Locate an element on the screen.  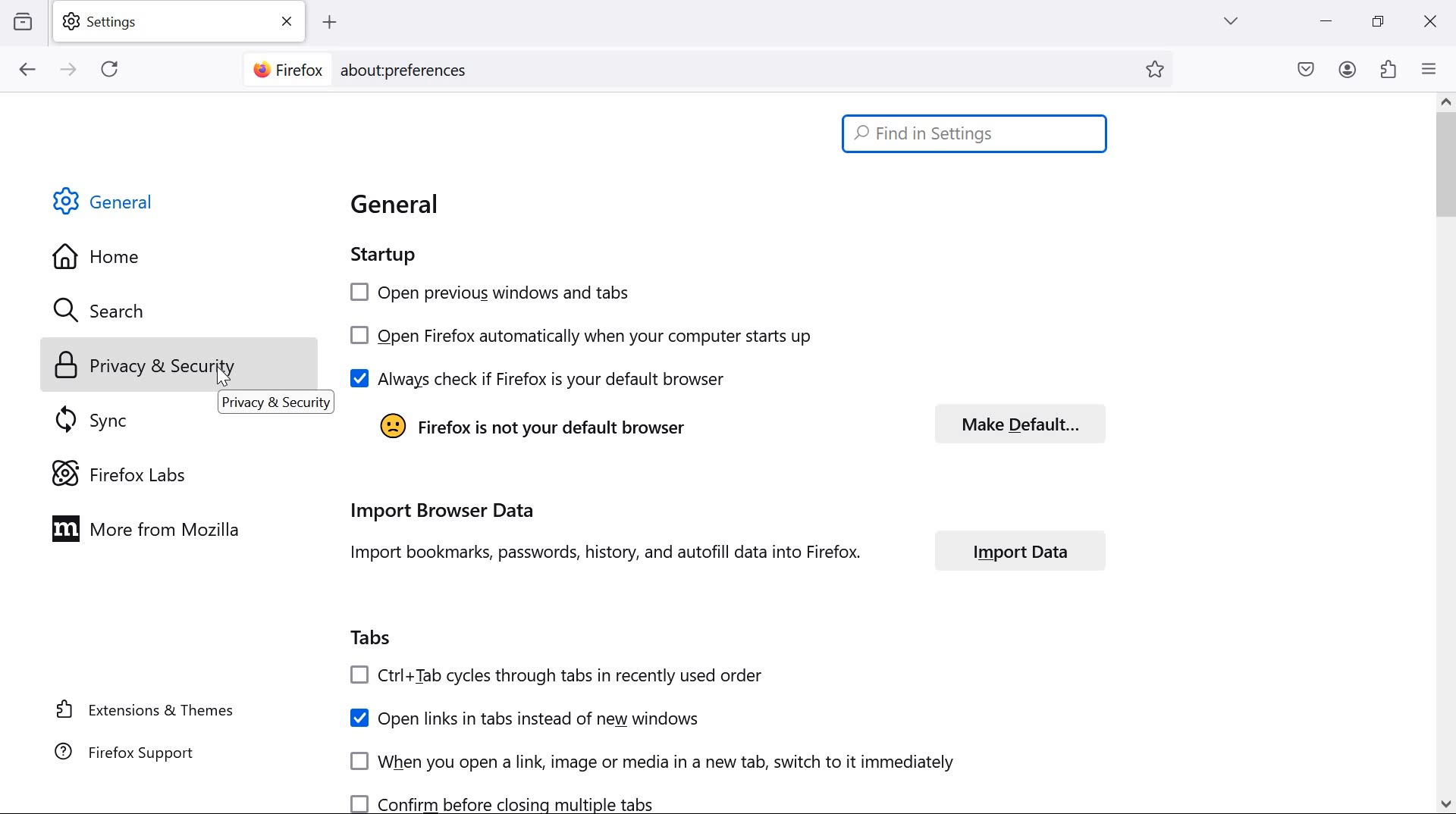
reload is located at coordinates (109, 68).